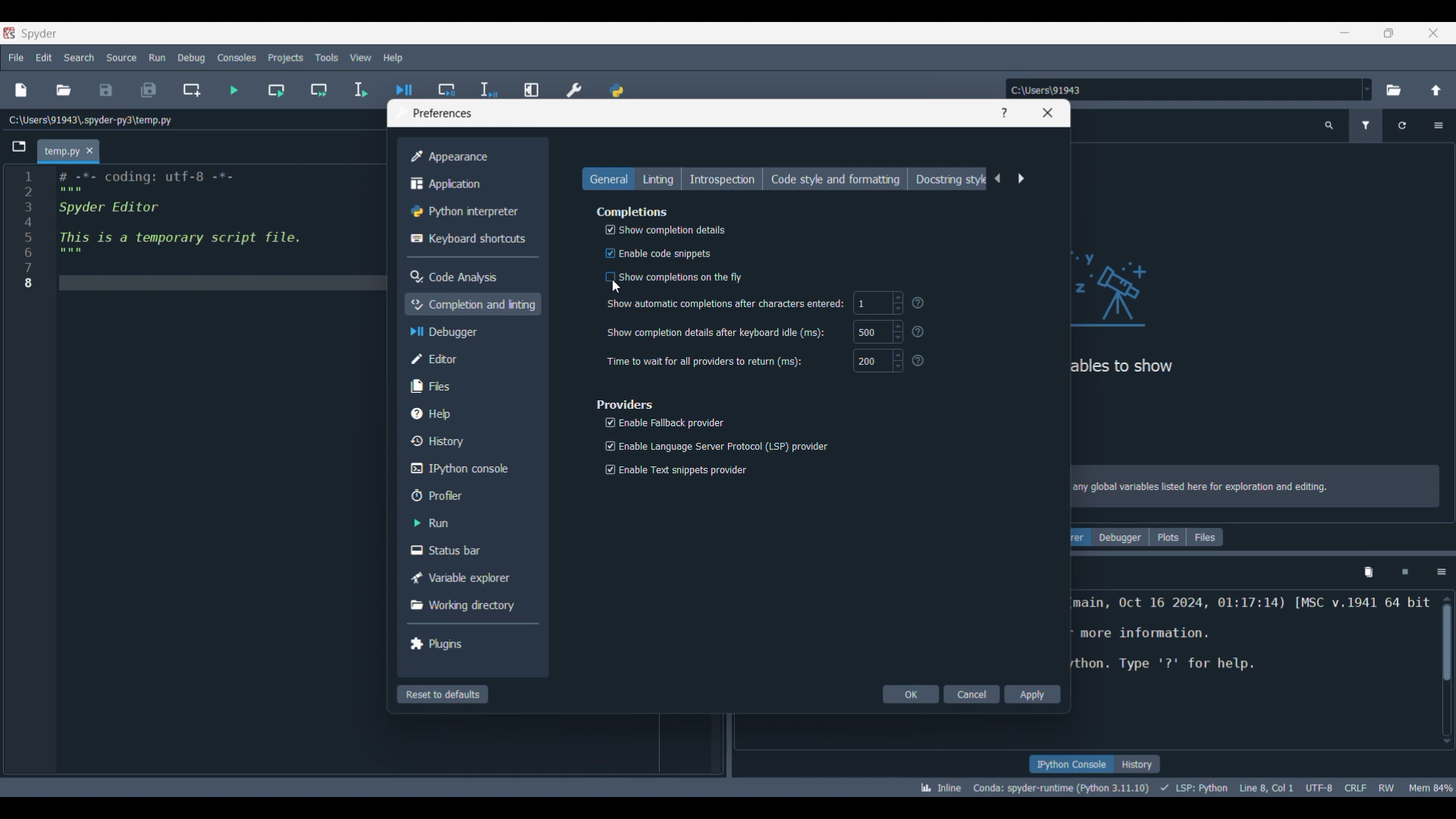  What do you see at coordinates (971, 694) in the screenshot?
I see `Cancel` at bounding box center [971, 694].